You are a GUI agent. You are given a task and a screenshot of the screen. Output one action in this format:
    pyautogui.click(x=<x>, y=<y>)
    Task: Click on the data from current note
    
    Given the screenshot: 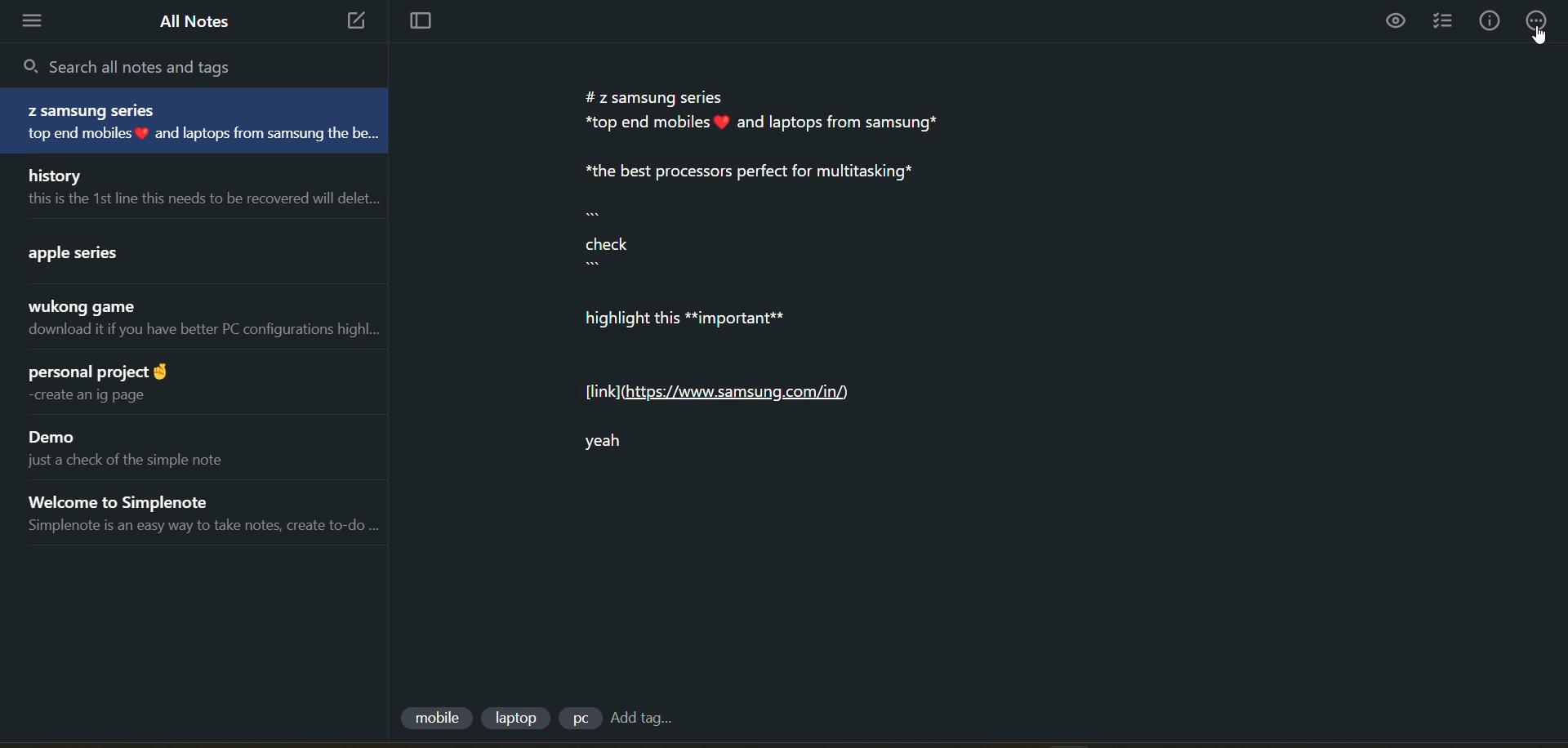 What is the action you would take?
    pyautogui.click(x=786, y=287)
    